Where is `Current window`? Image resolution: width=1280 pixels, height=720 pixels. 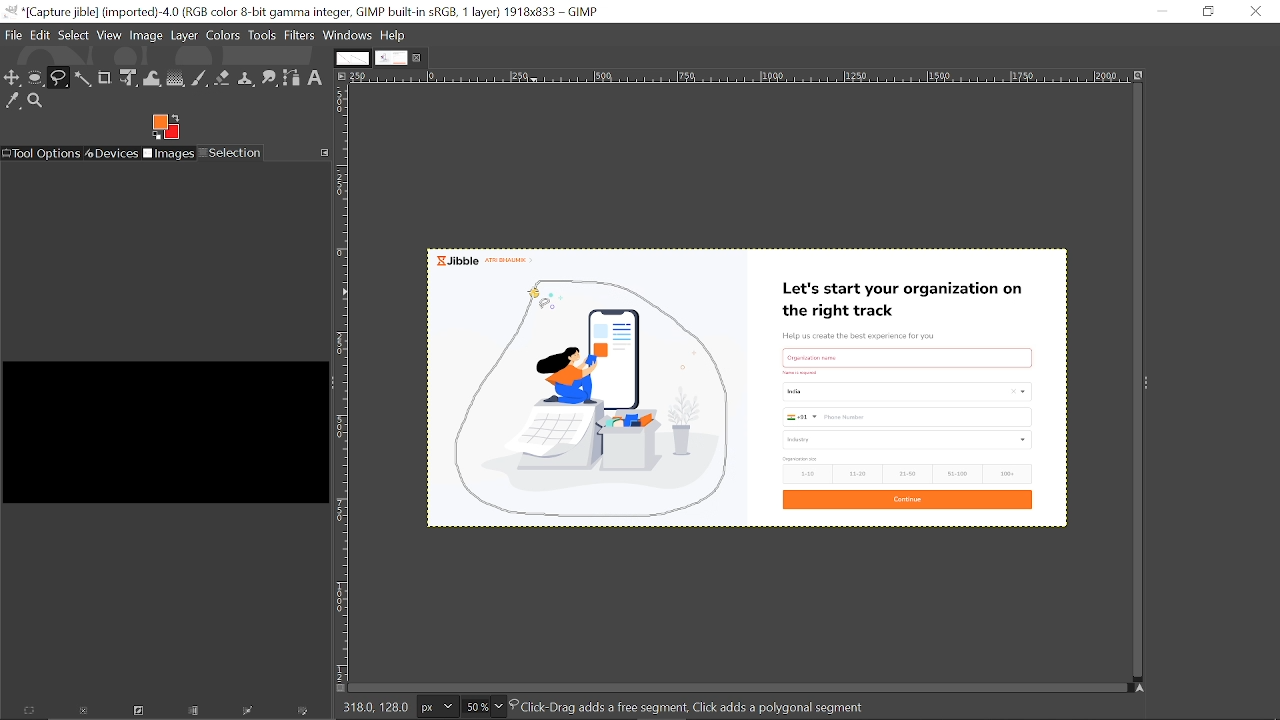 Current window is located at coordinates (302, 12).